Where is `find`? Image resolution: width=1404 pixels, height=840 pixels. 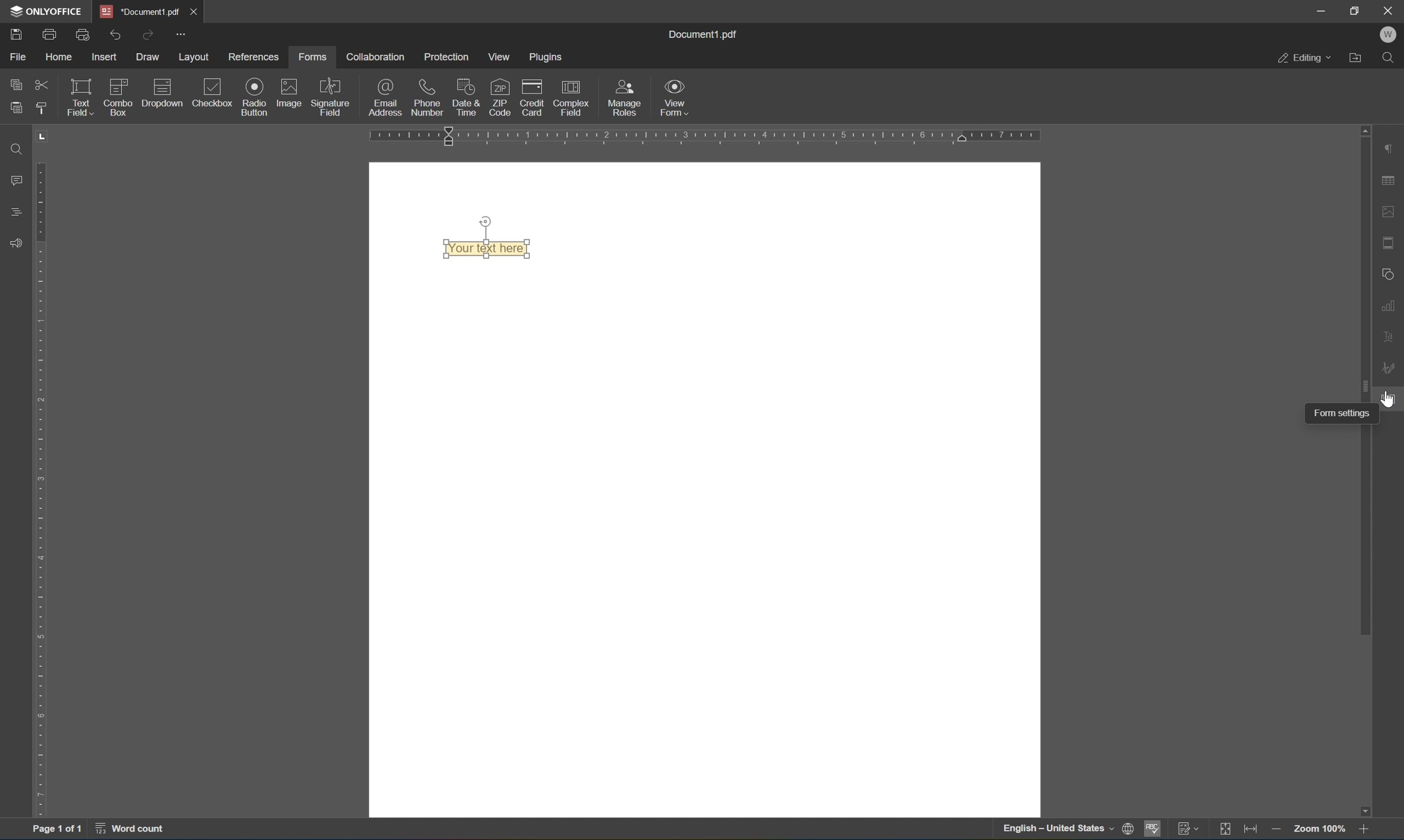 find is located at coordinates (1392, 58).